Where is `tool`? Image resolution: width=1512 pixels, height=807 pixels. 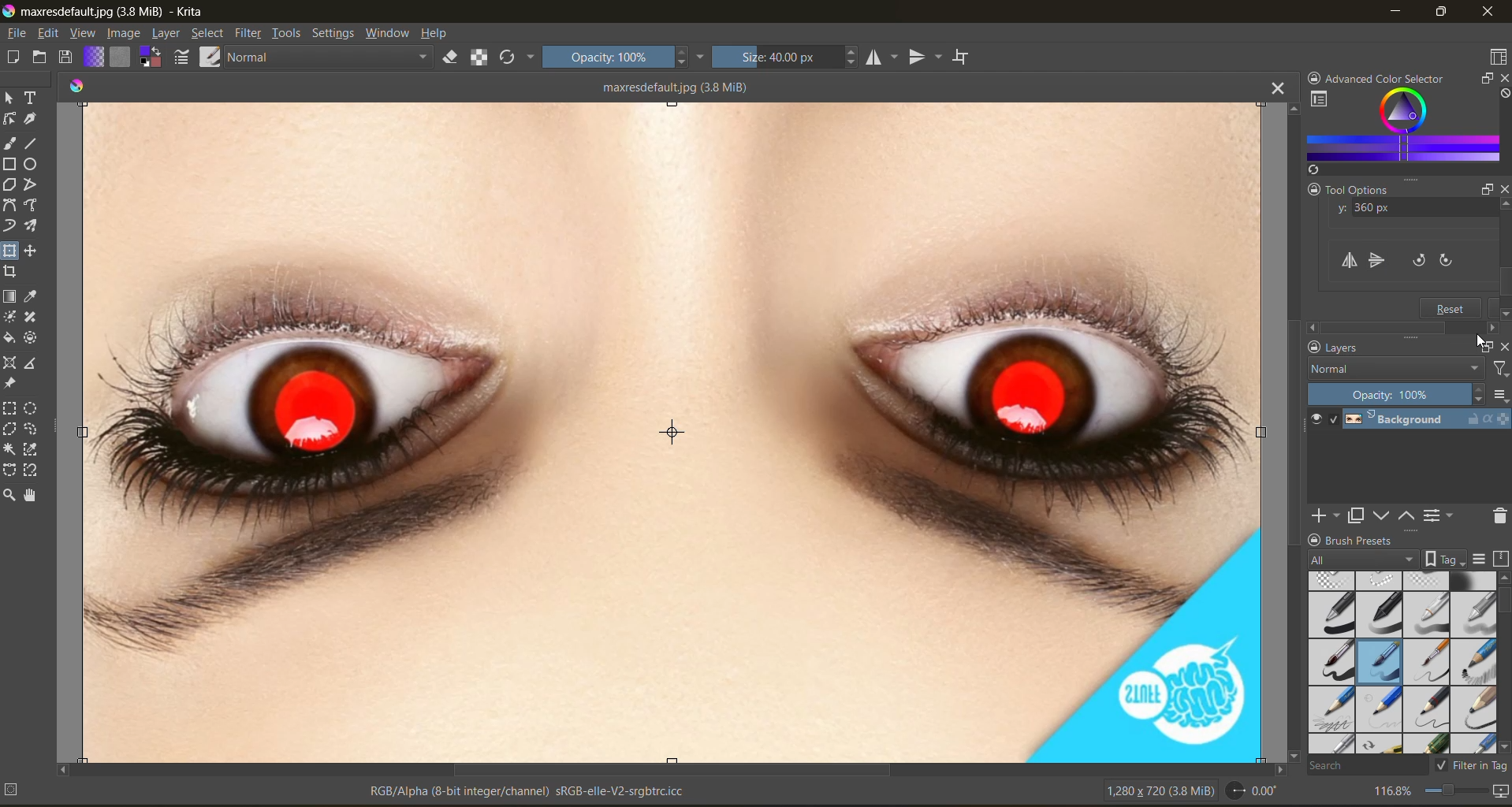
tool is located at coordinates (35, 250).